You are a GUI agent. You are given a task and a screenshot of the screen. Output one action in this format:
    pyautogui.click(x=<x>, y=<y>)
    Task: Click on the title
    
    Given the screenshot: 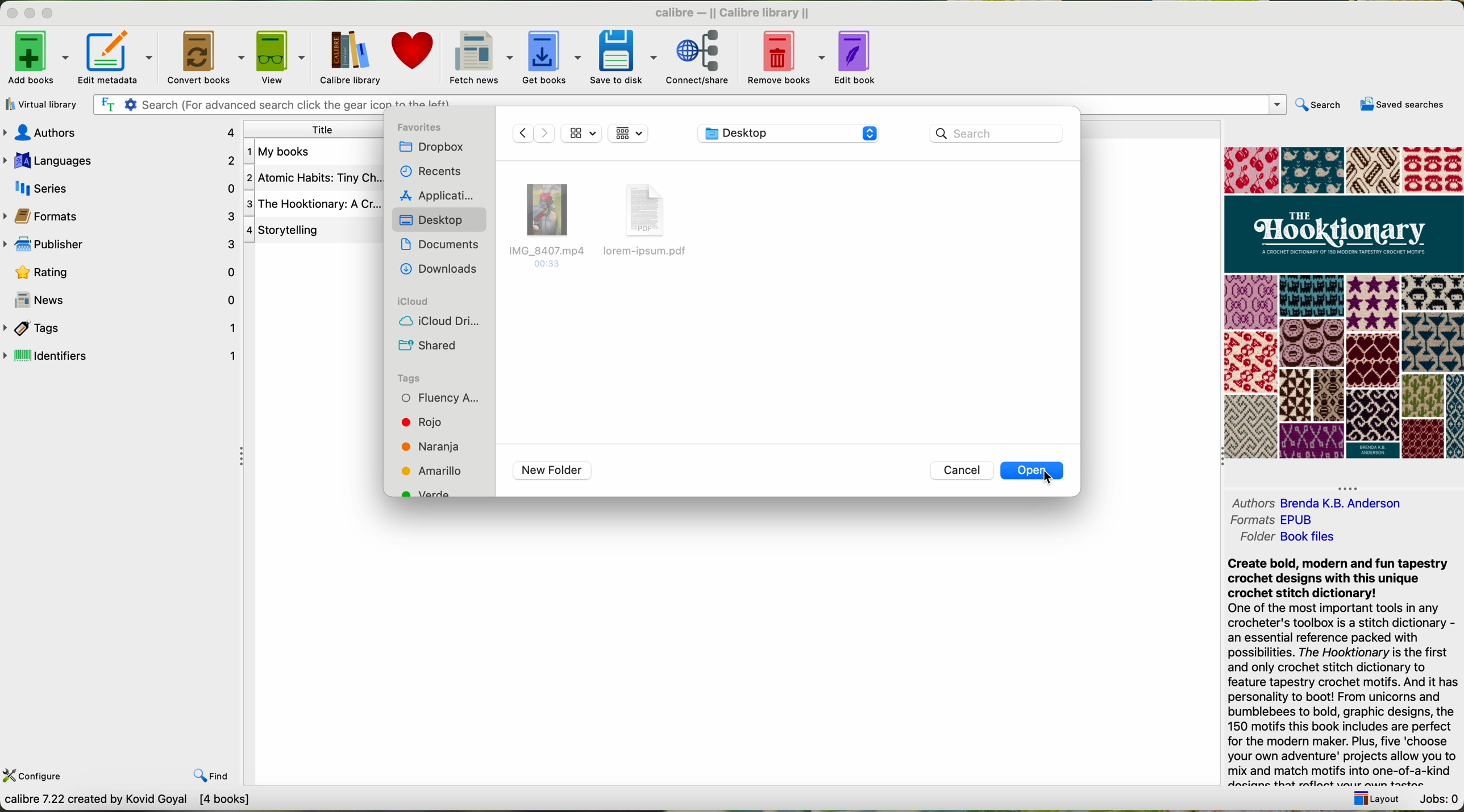 What is the action you would take?
    pyautogui.click(x=317, y=130)
    